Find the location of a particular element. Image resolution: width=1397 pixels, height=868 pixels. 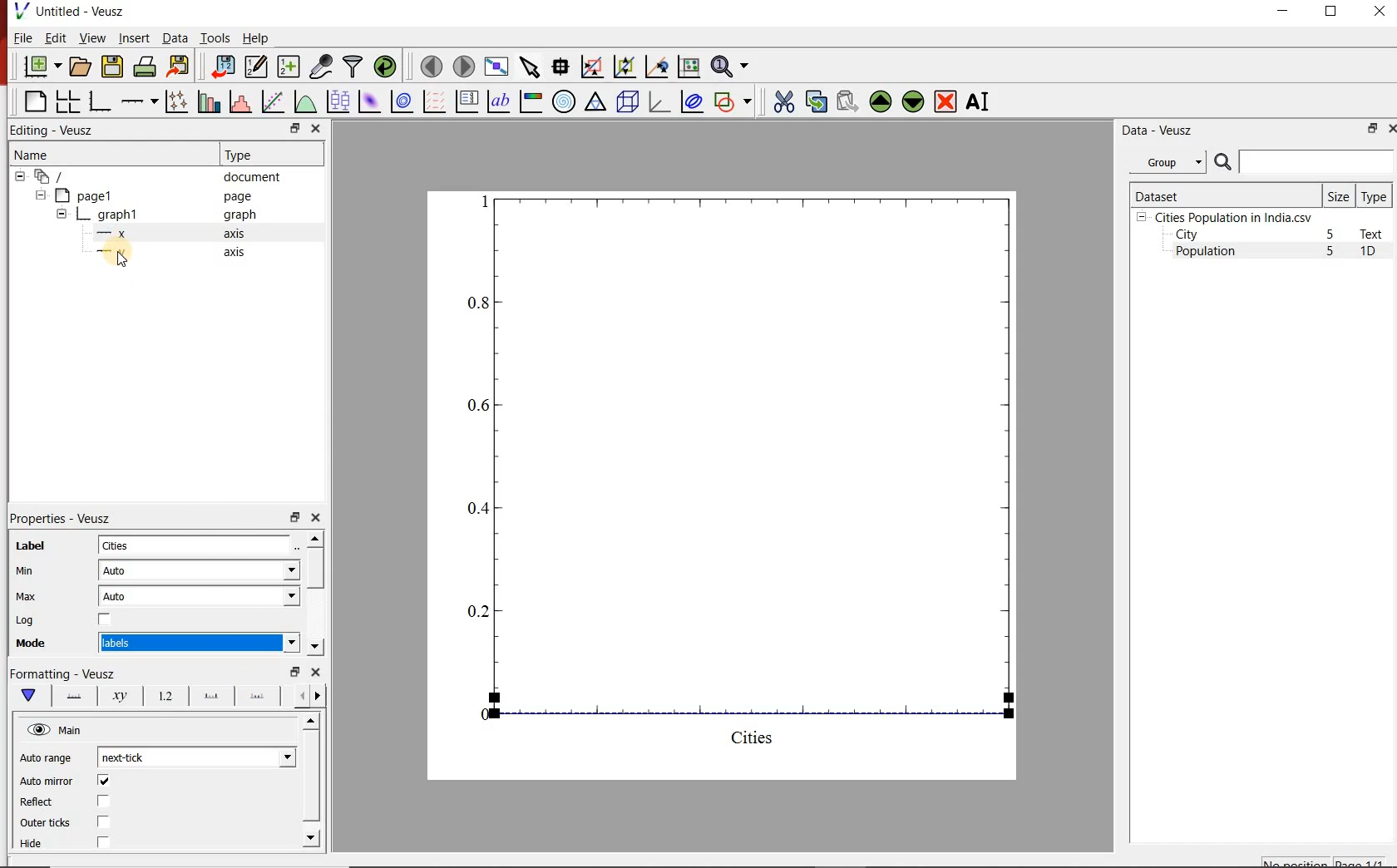

y axis is located at coordinates (174, 253).